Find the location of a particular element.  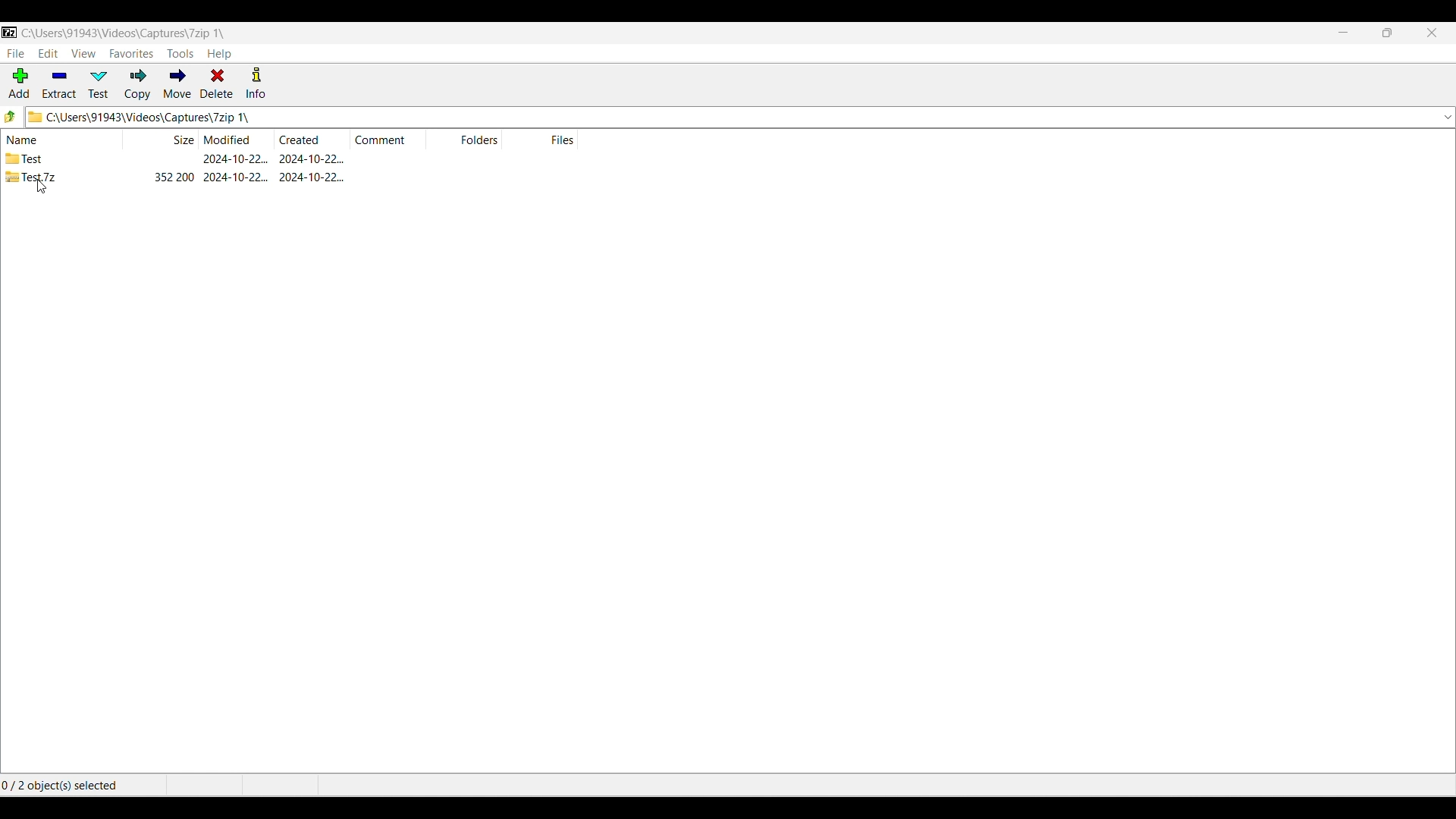

352200 2024-10-22. 2024-10-22. is located at coordinates (254, 178).